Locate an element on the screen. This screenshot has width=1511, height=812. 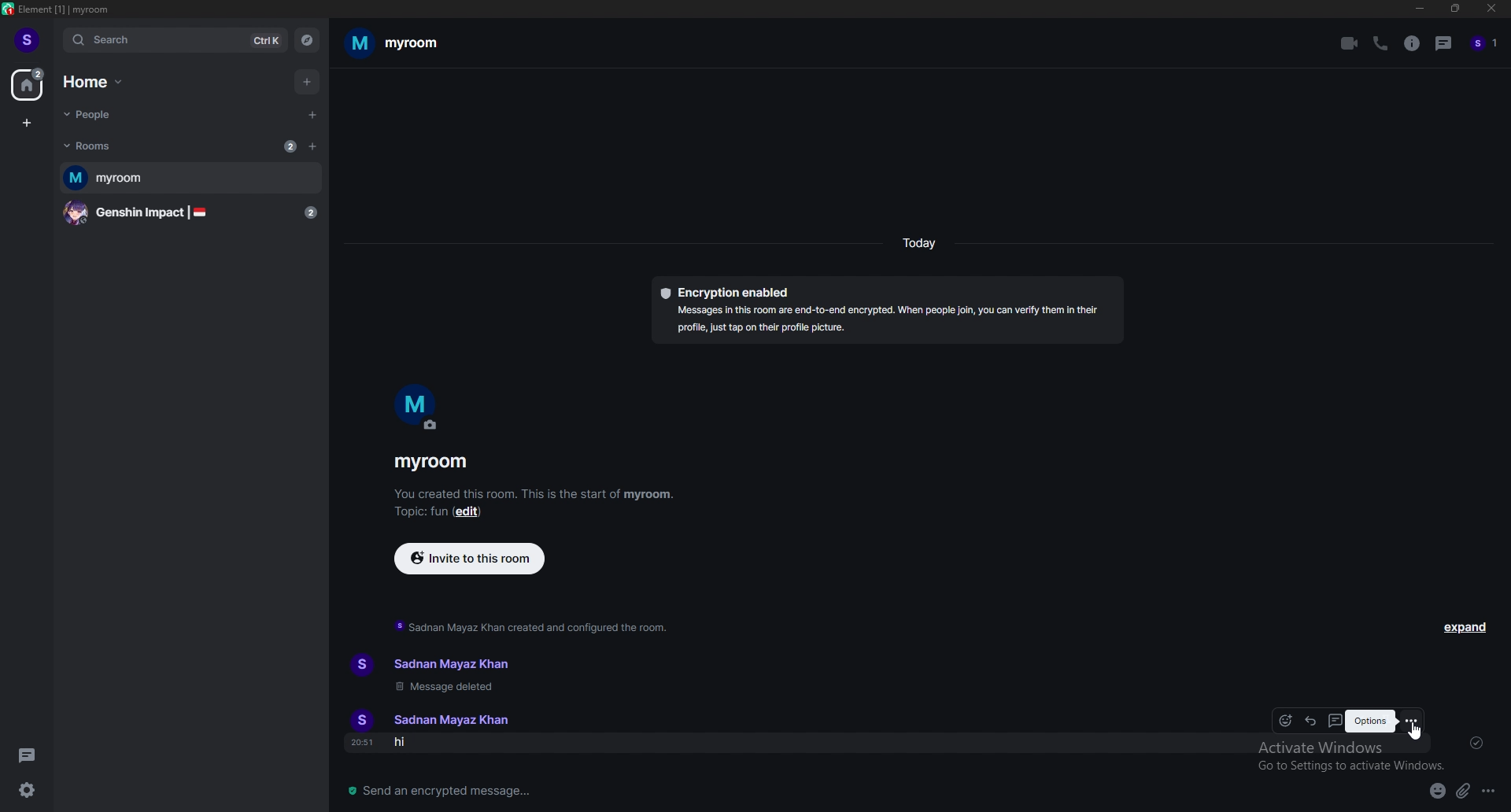
myroom is located at coordinates (430, 463).